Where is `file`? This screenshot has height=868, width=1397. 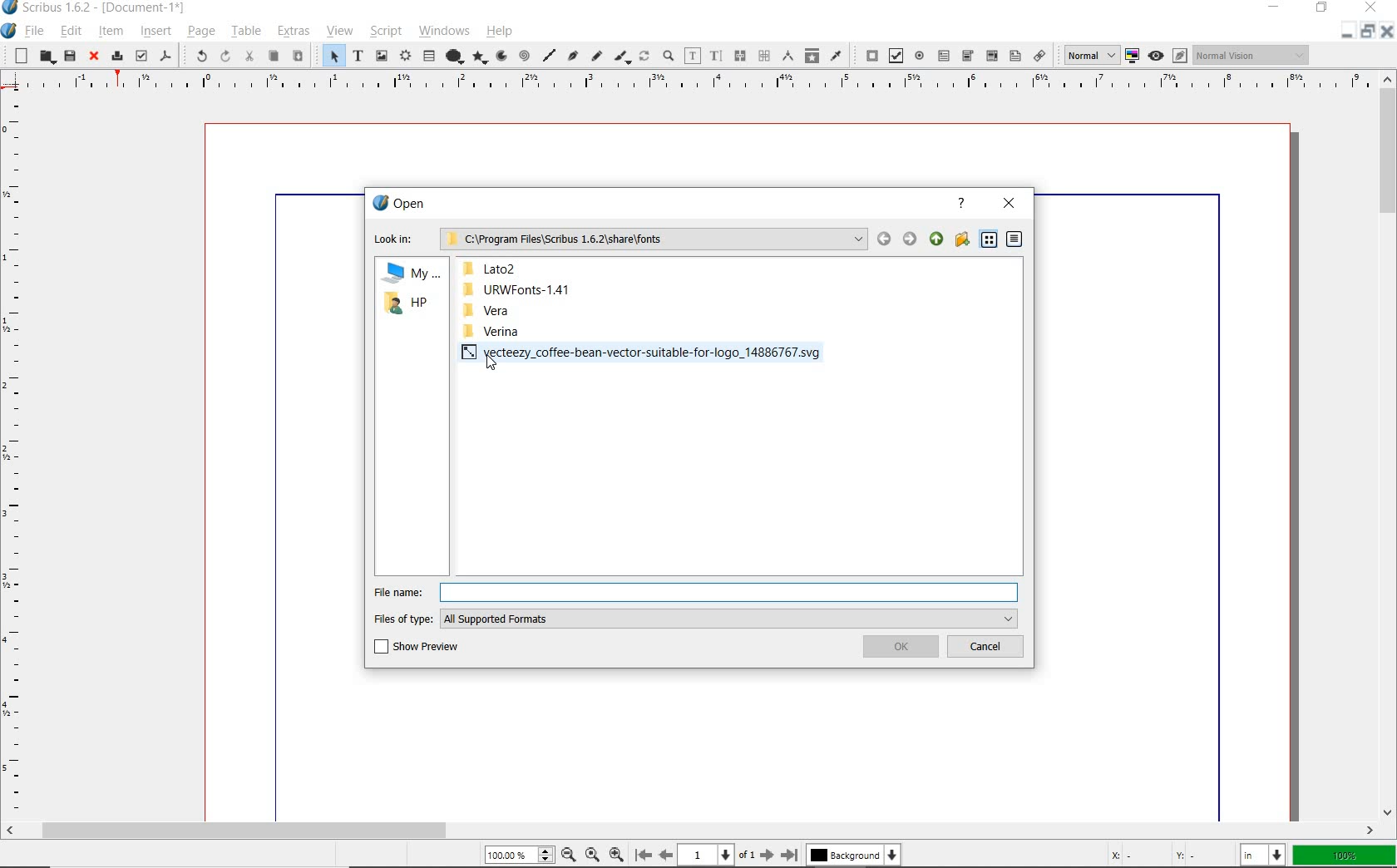 file is located at coordinates (37, 30).